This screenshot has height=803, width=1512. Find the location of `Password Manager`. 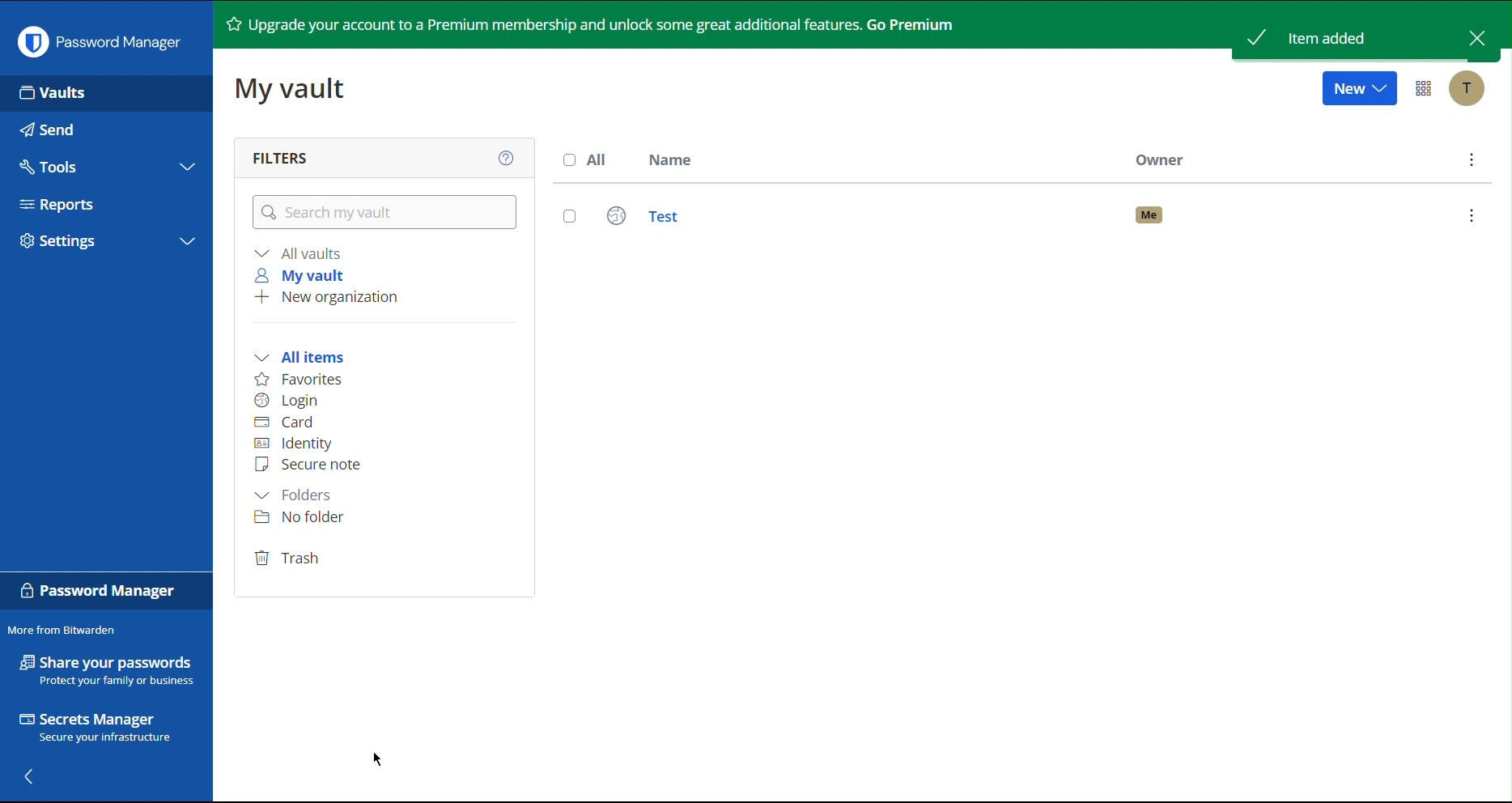

Password Manager is located at coordinates (96, 41).